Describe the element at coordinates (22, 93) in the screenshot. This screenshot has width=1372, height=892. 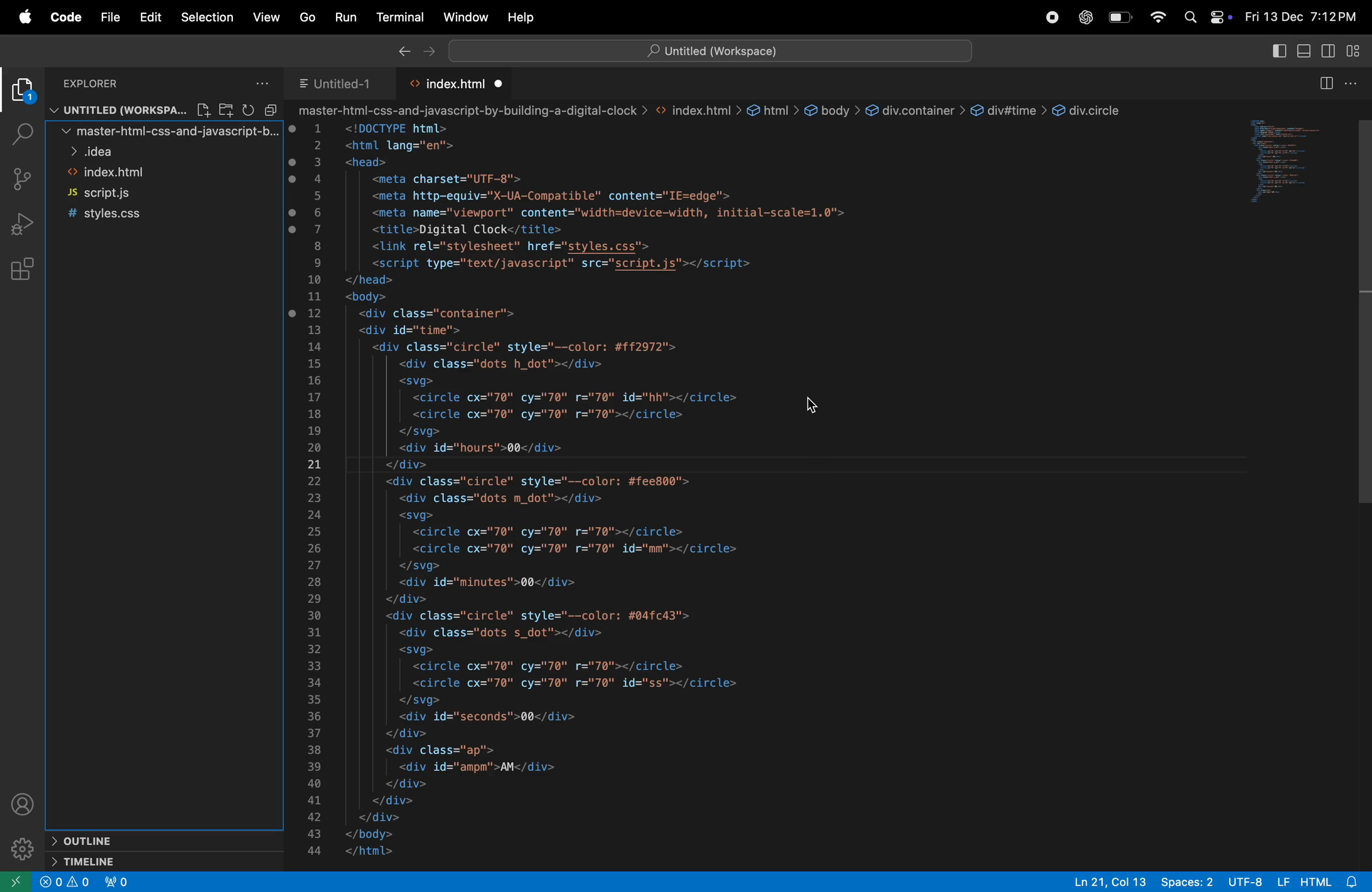
I see `extension` at that location.